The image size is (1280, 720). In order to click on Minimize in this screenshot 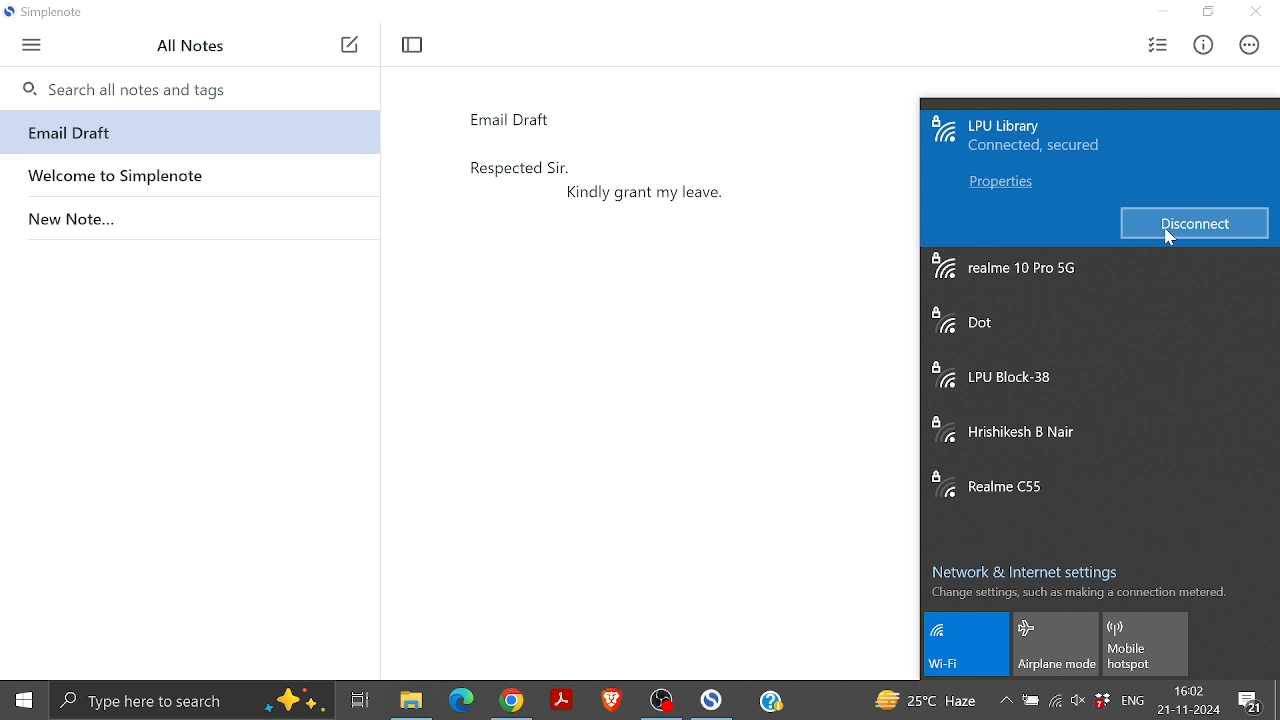, I will do `click(1168, 12)`.